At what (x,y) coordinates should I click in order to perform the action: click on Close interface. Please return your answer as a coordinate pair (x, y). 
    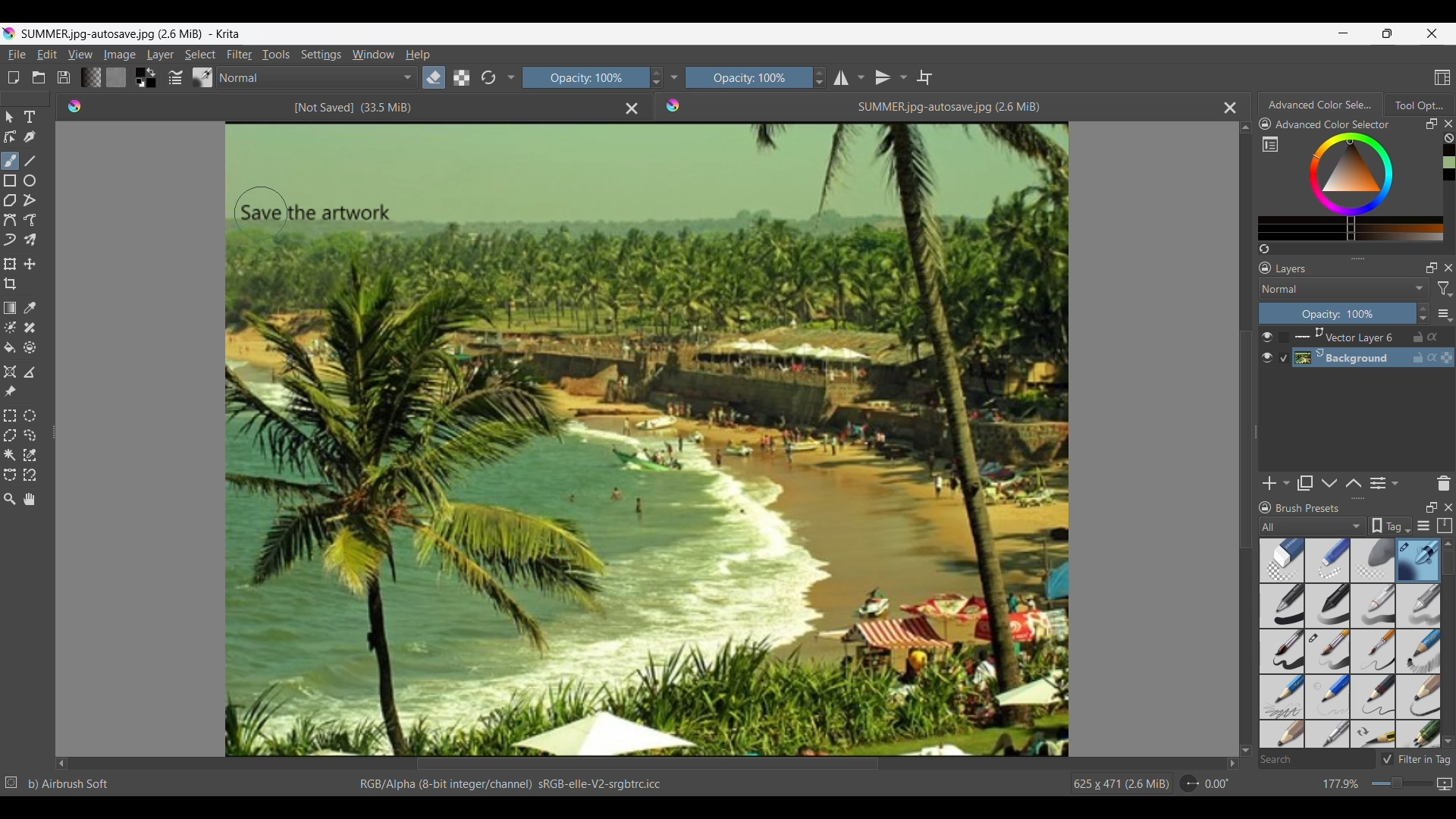
    Looking at the image, I should click on (1432, 33).